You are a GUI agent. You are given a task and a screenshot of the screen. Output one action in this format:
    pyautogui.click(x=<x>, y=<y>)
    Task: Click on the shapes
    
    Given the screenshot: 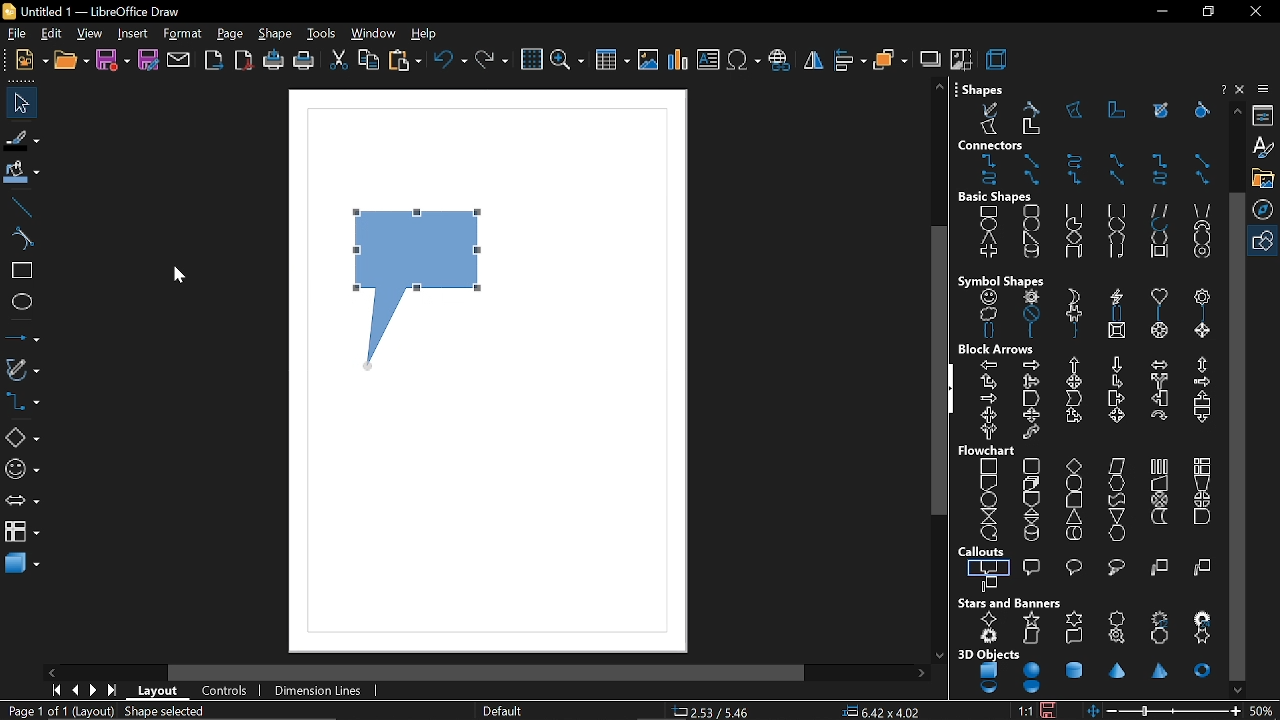 What is the action you would take?
    pyautogui.click(x=1266, y=239)
    